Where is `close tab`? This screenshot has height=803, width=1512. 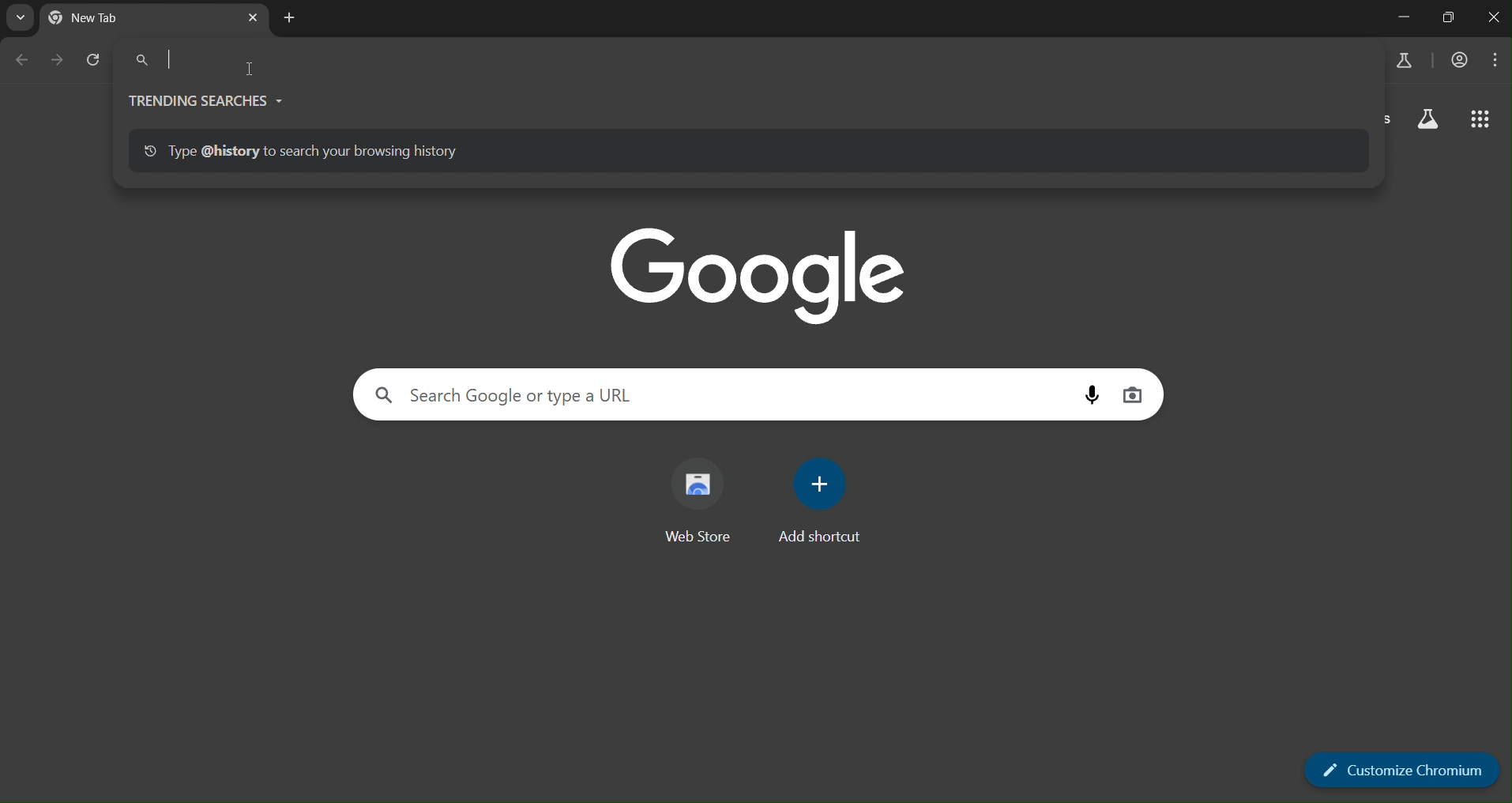
close tab is located at coordinates (254, 17).